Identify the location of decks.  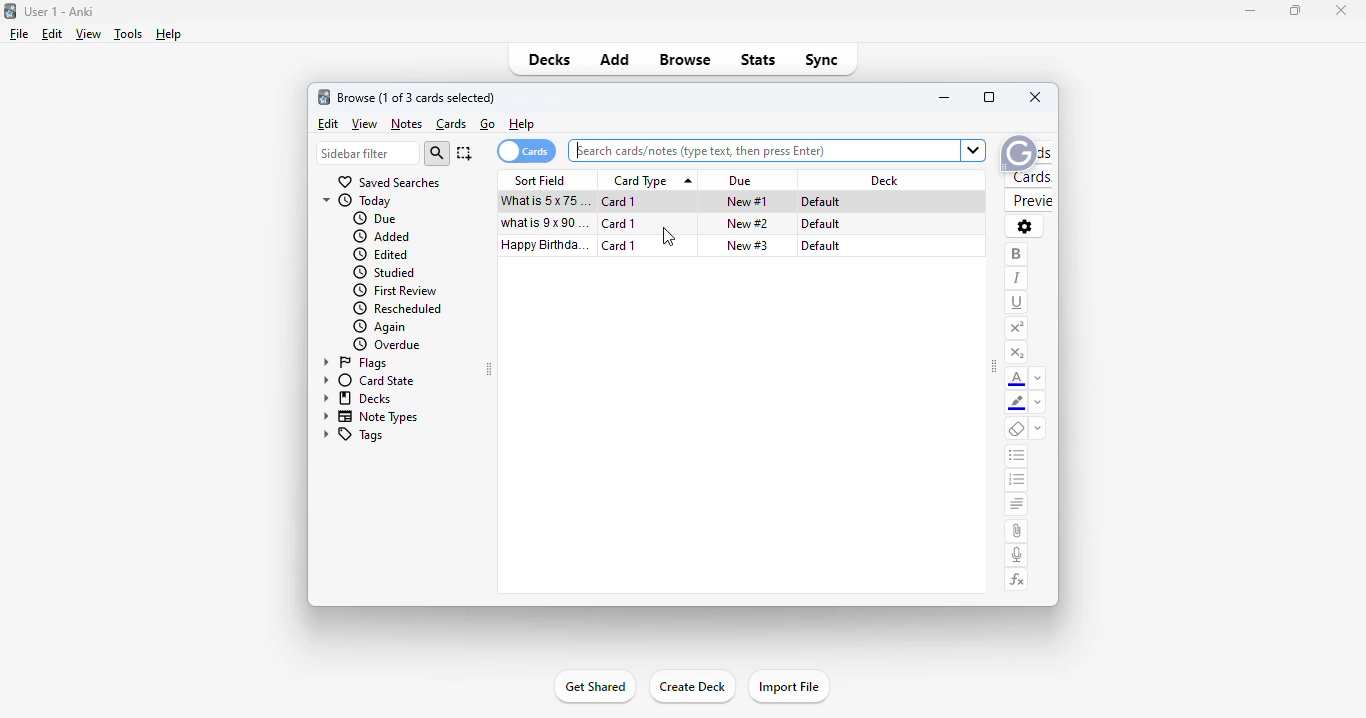
(355, 398).